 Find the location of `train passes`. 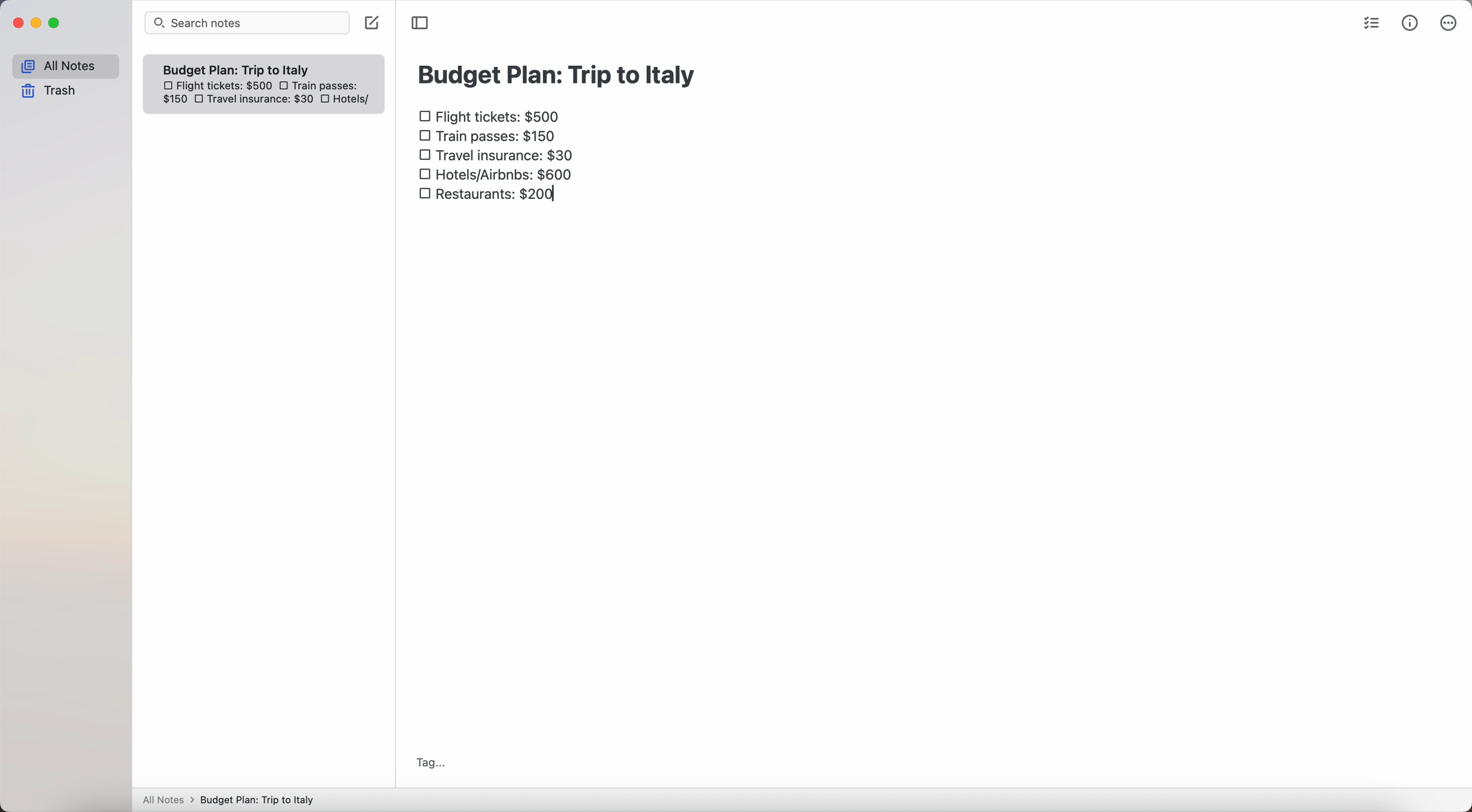

train passes is located at coordinates (326, 84).